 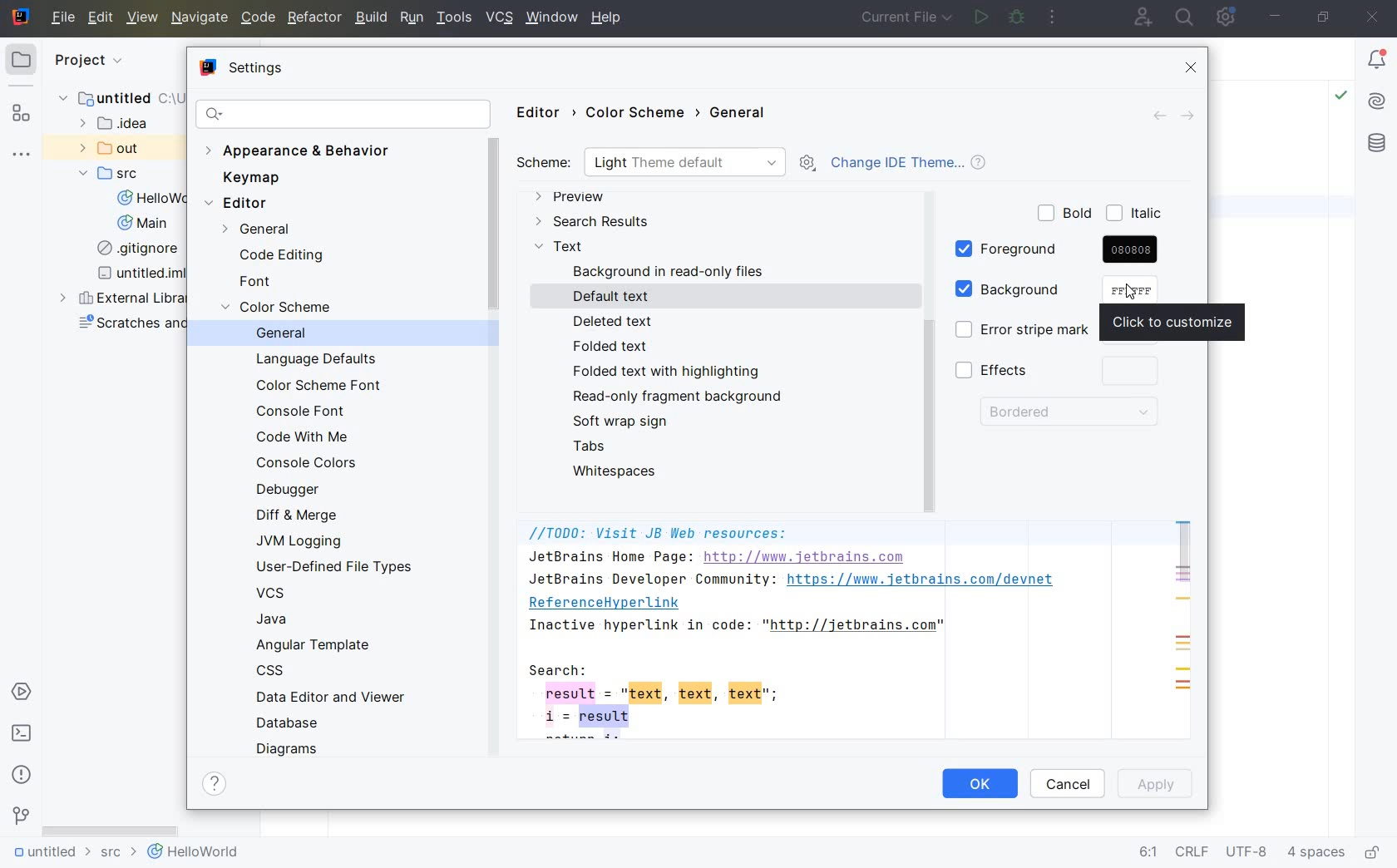 I want to click on terminal, so click(x=22, y=734).